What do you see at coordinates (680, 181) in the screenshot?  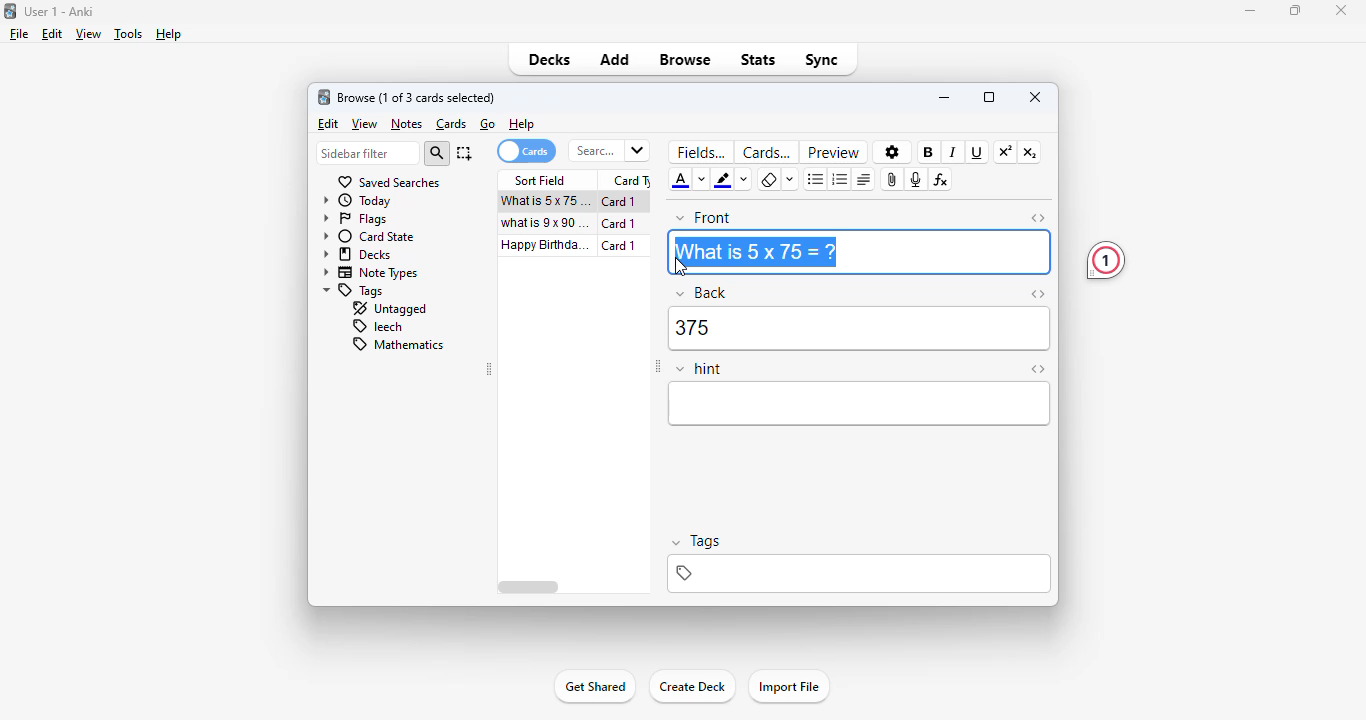 I see `text color` at bounding box center [680, 181].